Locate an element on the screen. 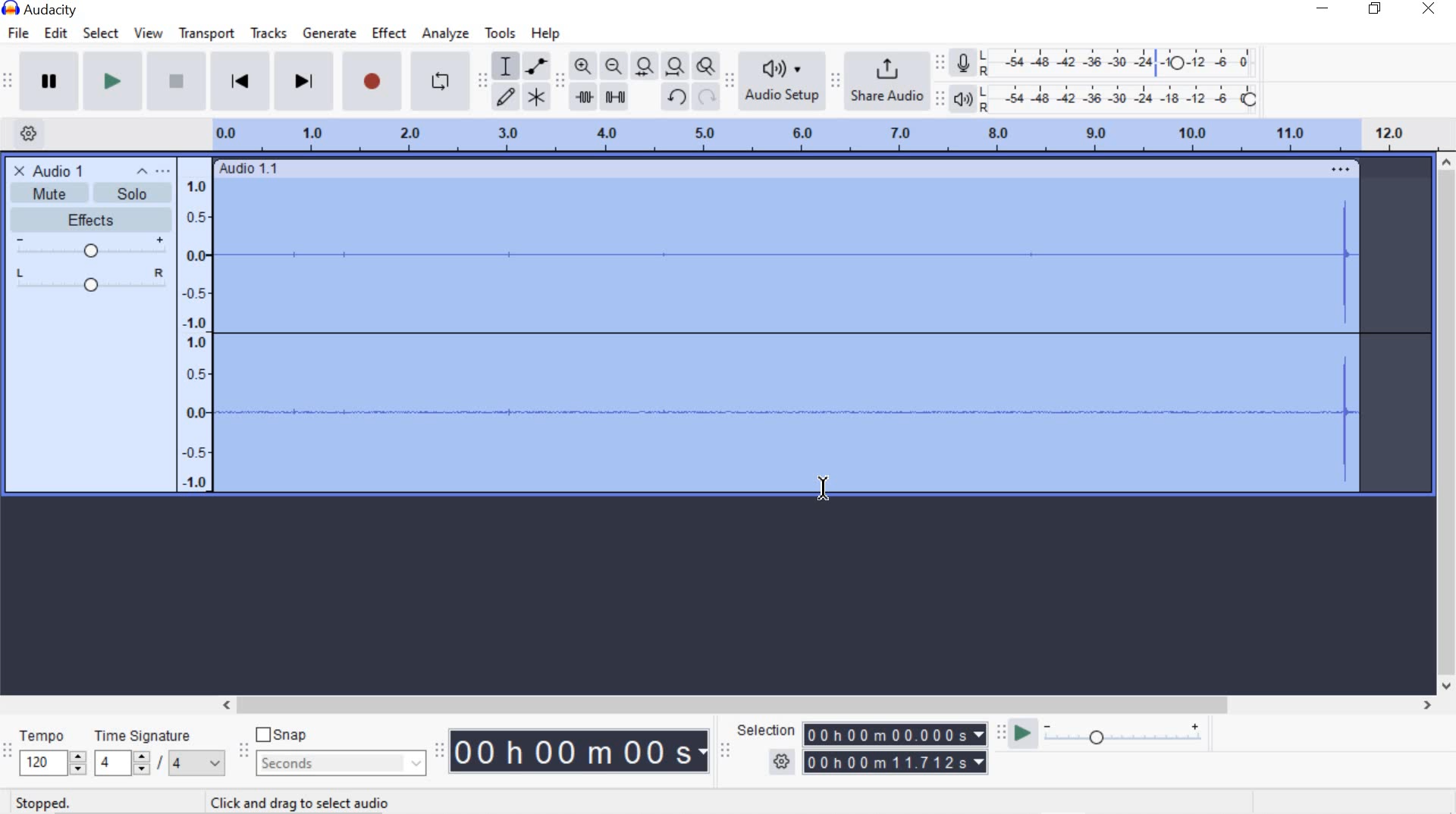 Image resolution: width=1456 pixels, height=814 pixels. solo is located at coordinates (133, 183).